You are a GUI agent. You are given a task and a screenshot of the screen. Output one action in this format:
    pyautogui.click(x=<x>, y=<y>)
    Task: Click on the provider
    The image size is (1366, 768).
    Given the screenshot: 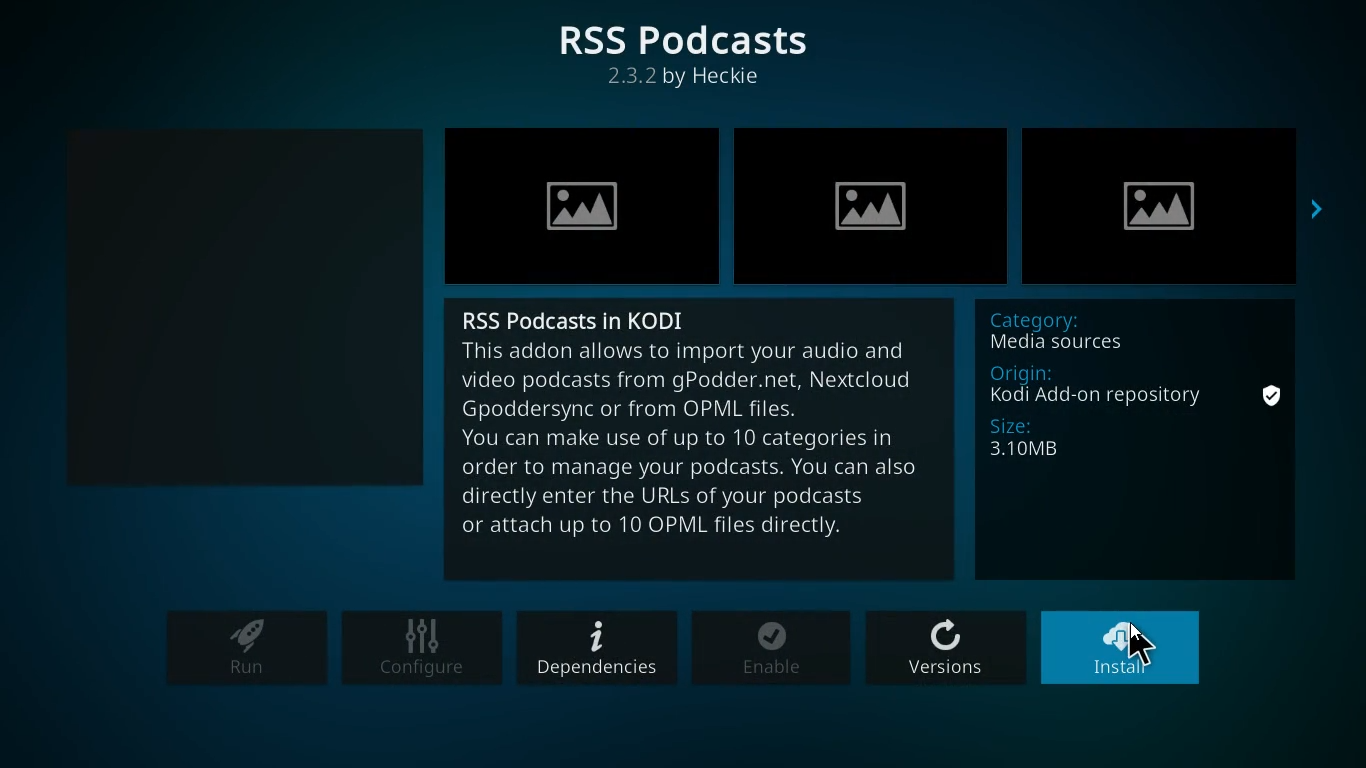 What is the action you would take?
    pyautogui.click(x=691, y=81)
    